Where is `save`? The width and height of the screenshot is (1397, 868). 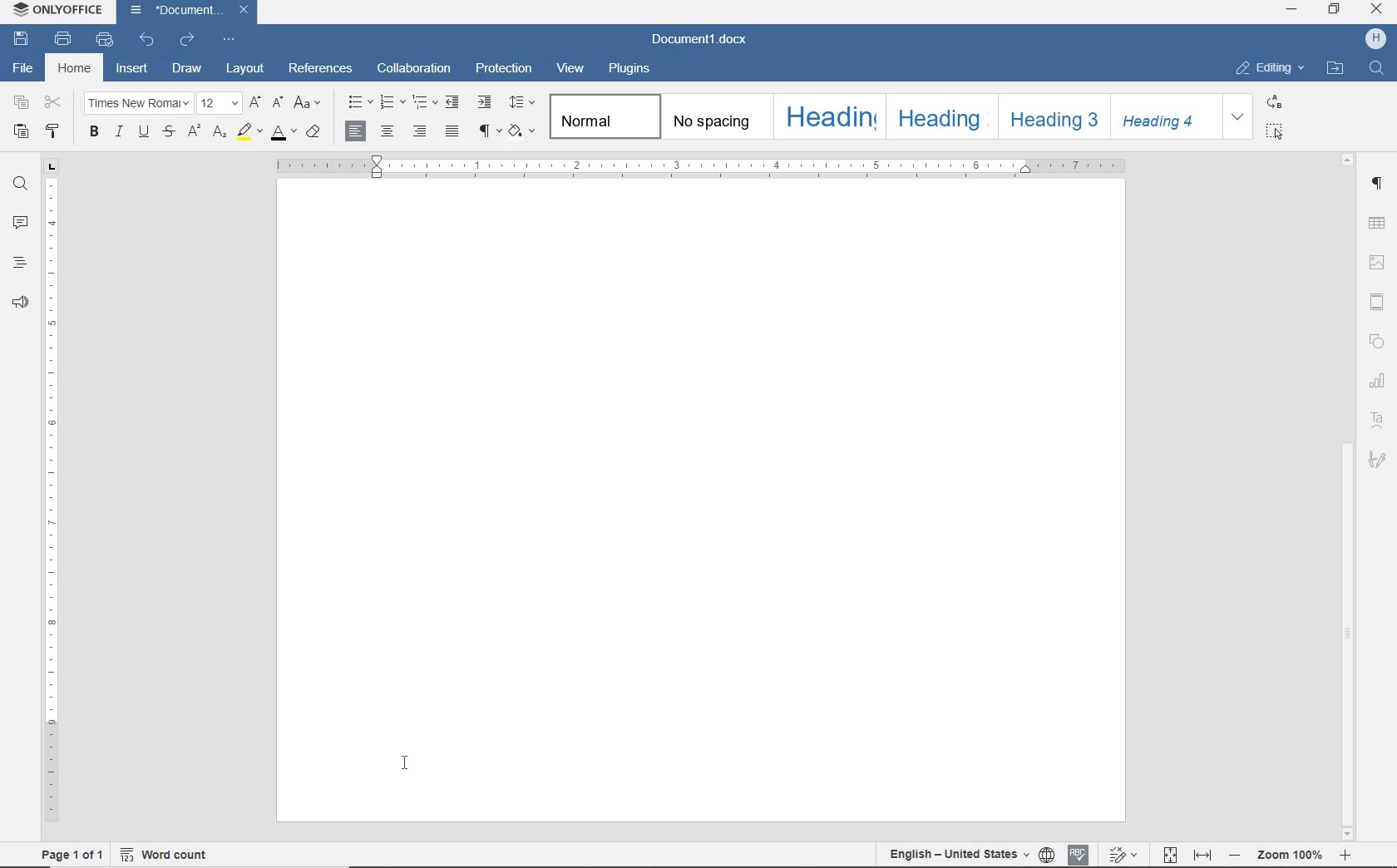
save is located at coordinates (20, 38).